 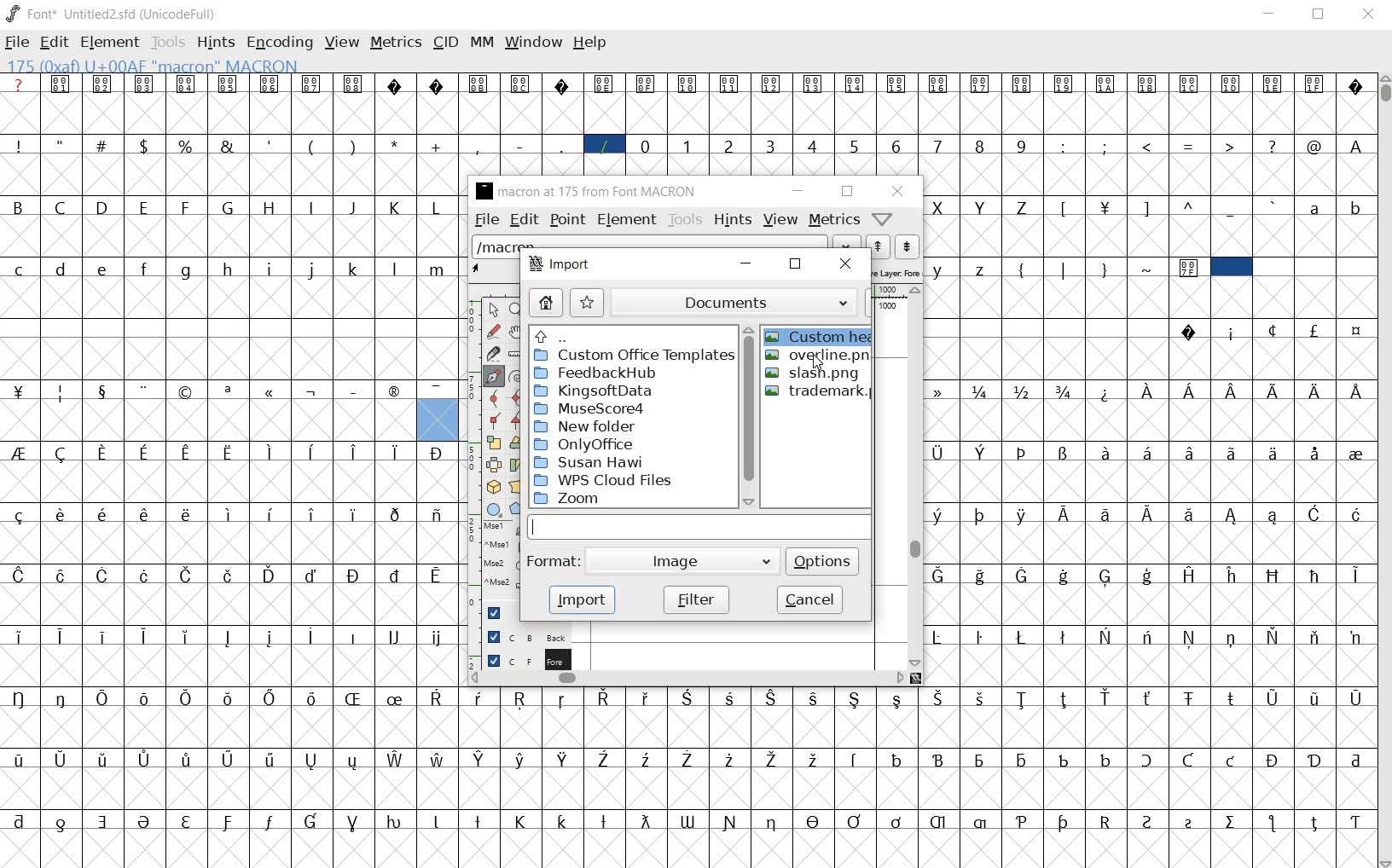 What do you see at coordinates (606, 760) in the screenshot?
I see `Symbol` at bounding box center [606, 760].